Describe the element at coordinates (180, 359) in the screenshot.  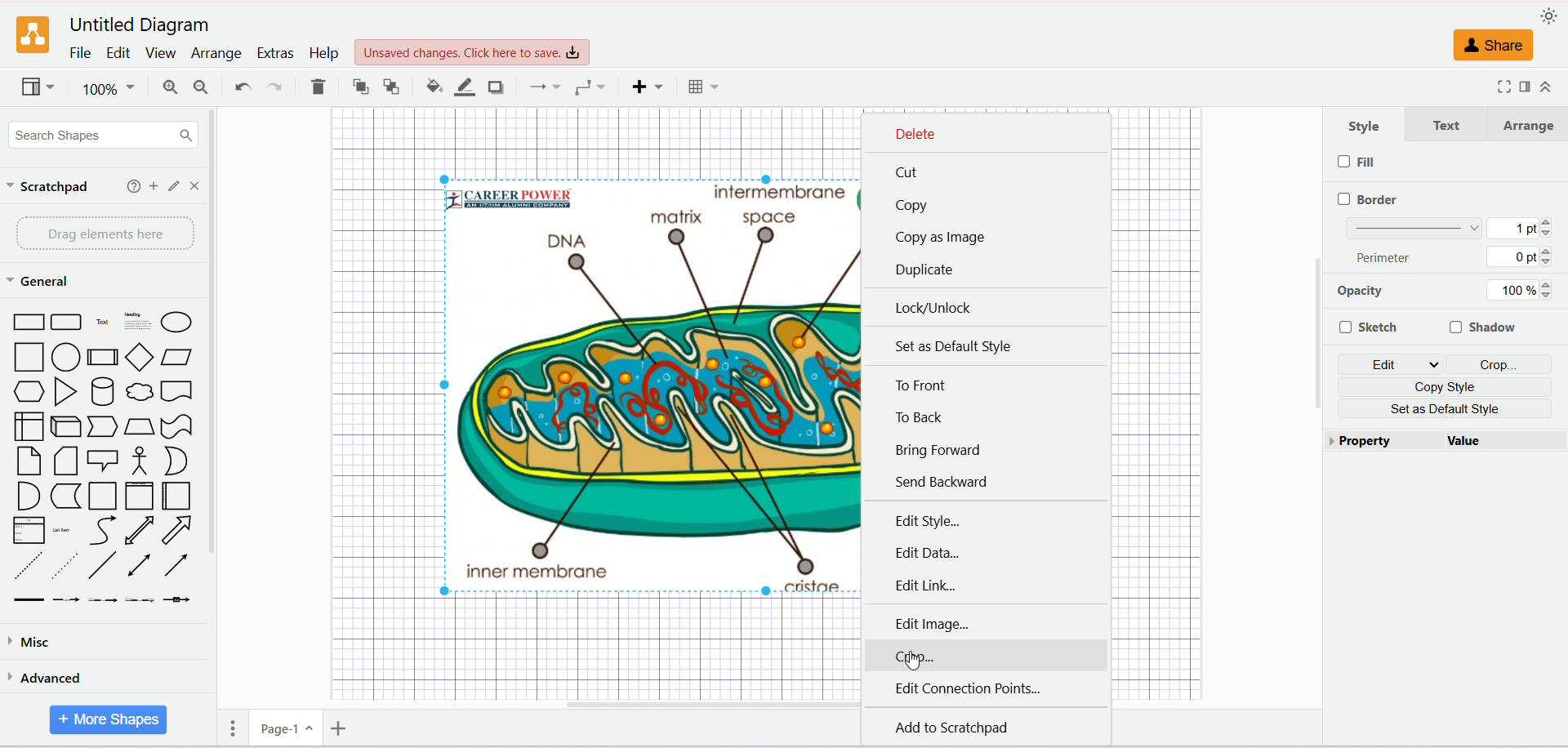
I see `Parallelogram` at that location.